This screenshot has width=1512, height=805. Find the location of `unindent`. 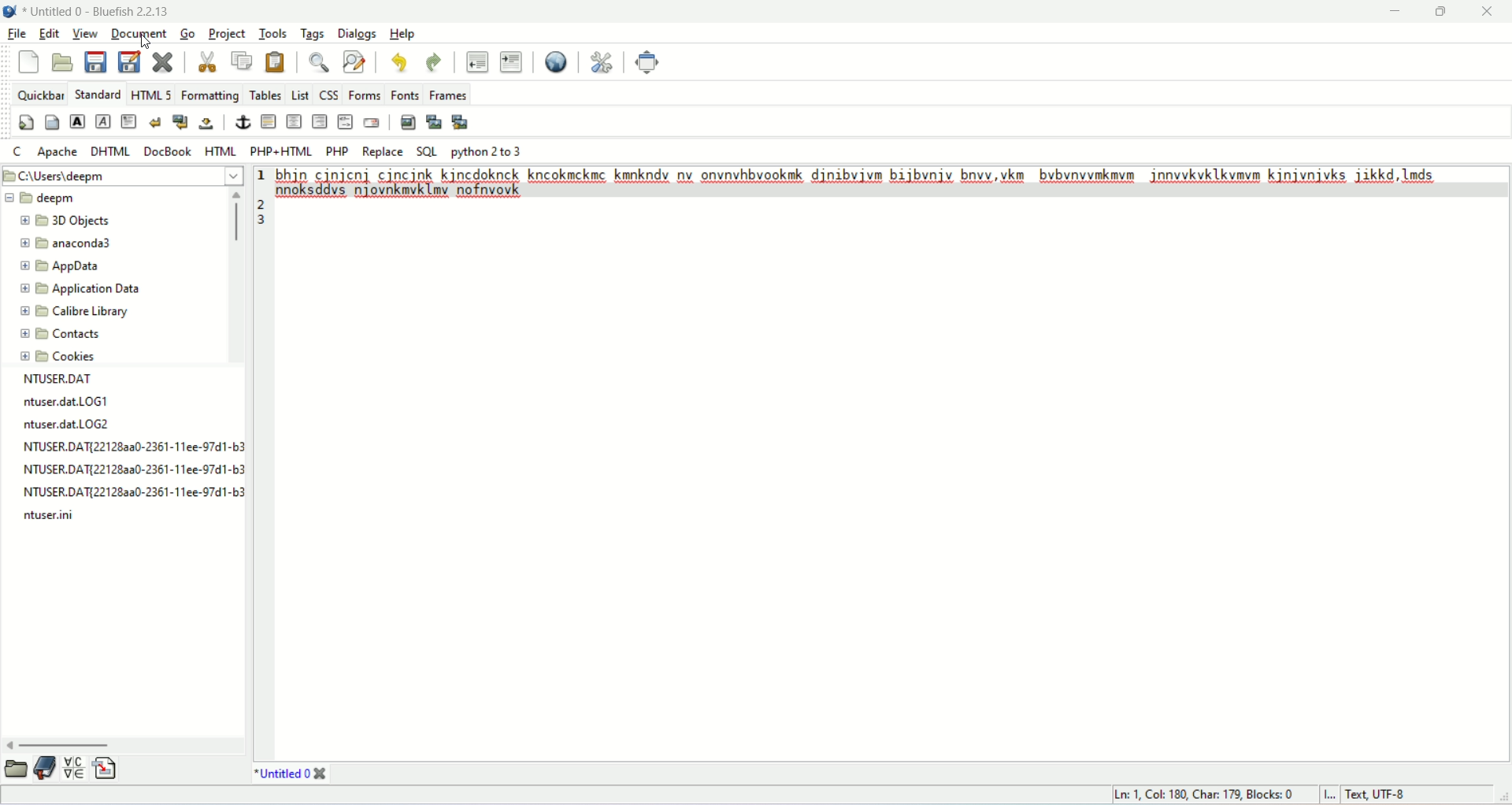

unindent is located at coordinates (477, 61).